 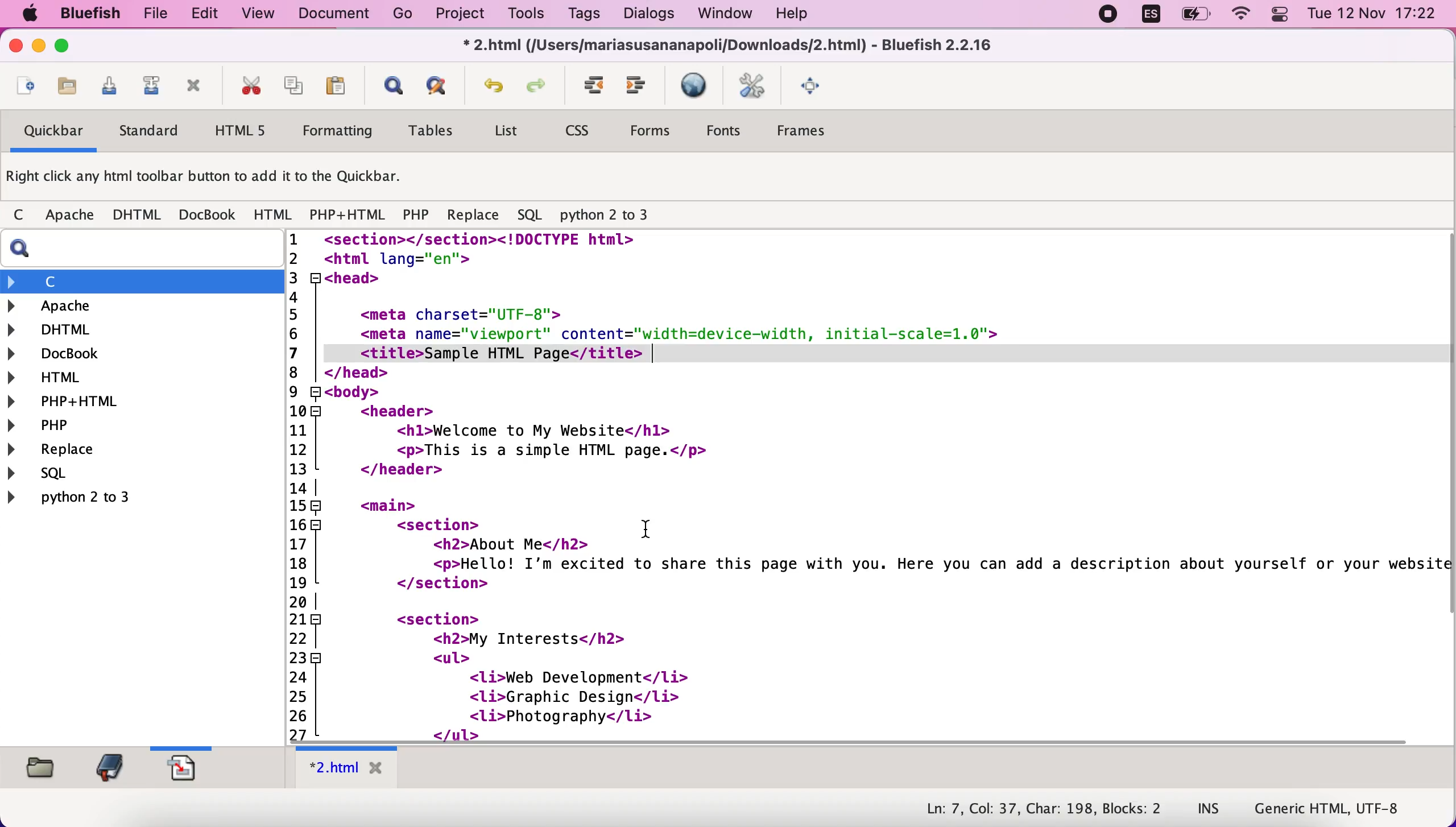 I want to click on python 2 to 3, so click(x=121, y=500).